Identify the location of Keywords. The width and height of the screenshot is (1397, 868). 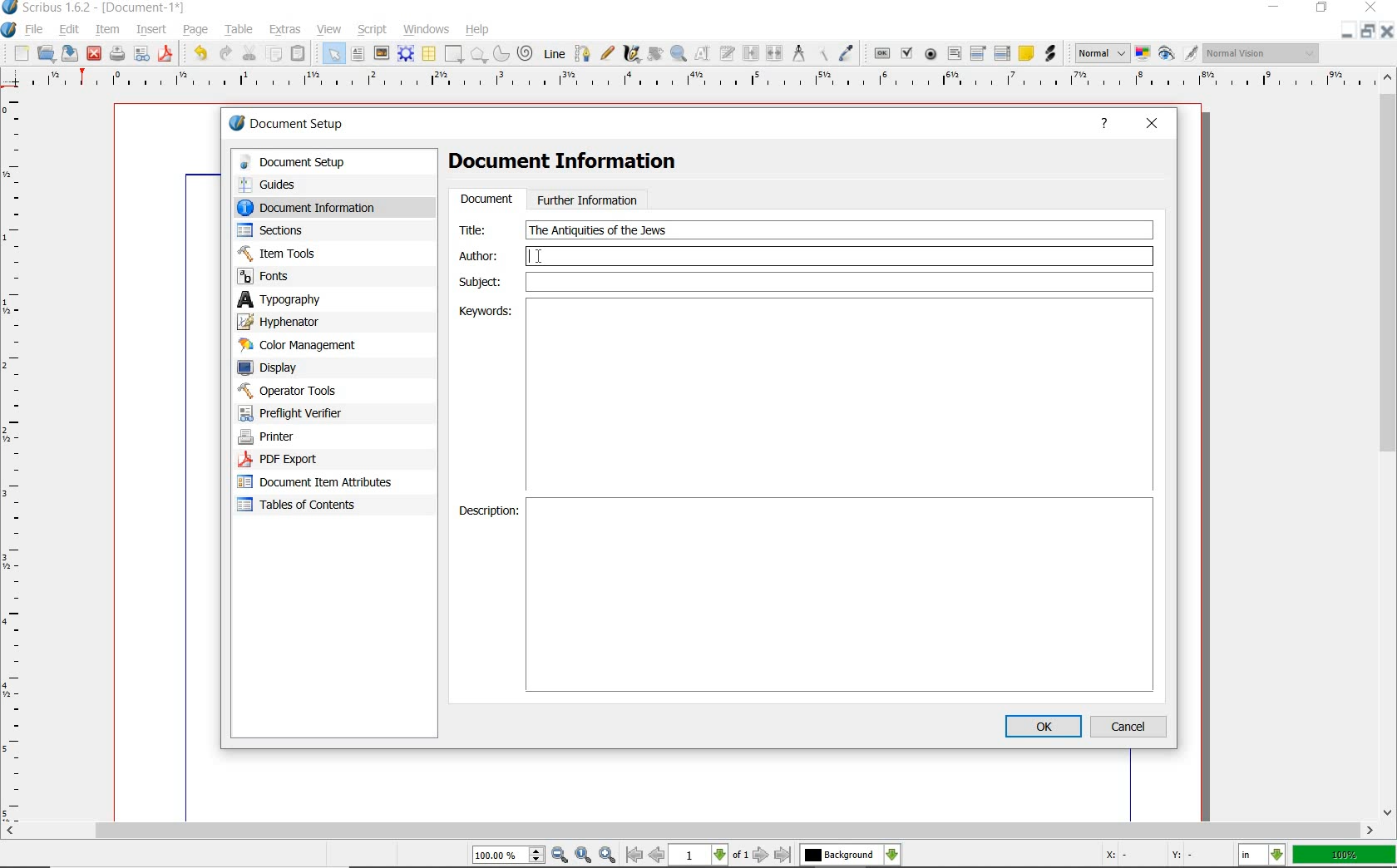
(484, 311).